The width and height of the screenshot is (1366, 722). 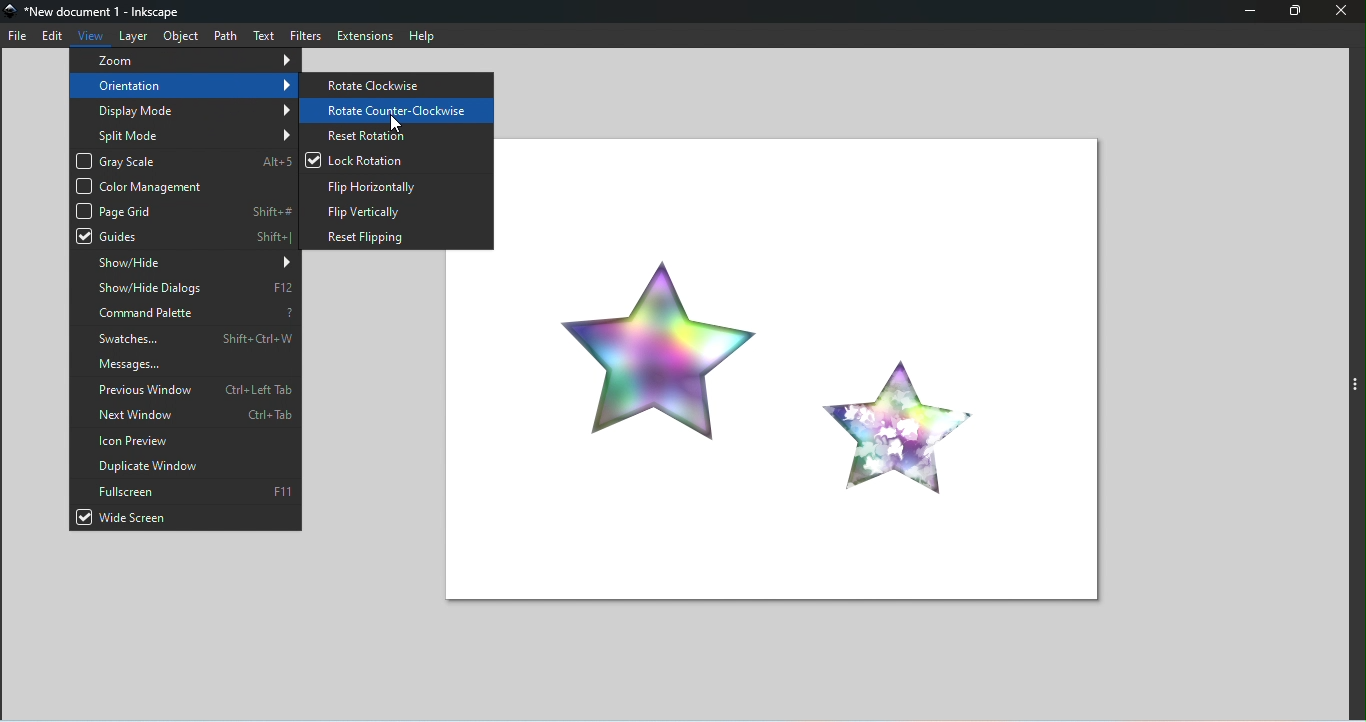 I want to click on Icon preview, so click(x=183, y=442).